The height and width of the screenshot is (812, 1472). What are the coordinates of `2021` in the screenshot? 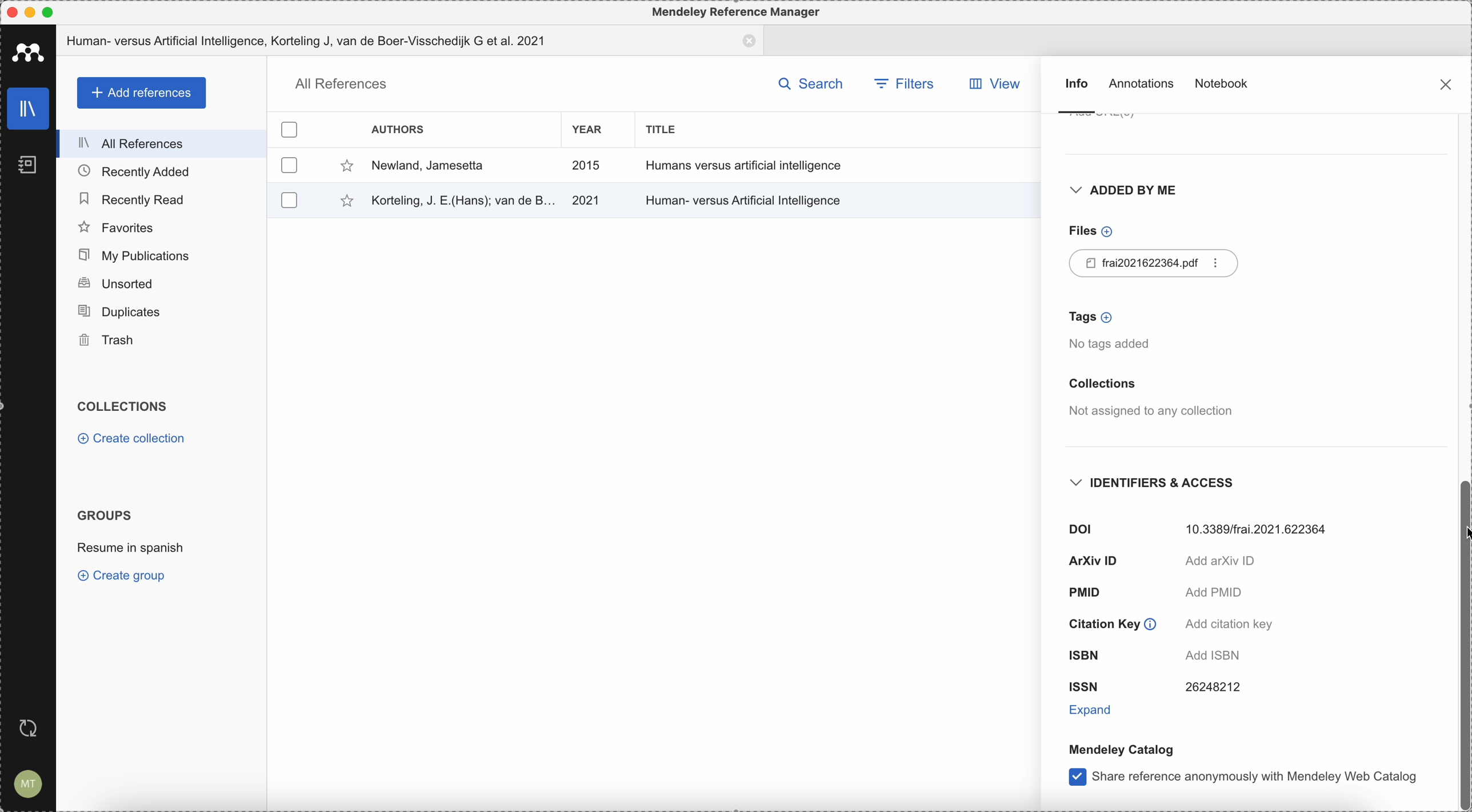 It's located at (586, 201).